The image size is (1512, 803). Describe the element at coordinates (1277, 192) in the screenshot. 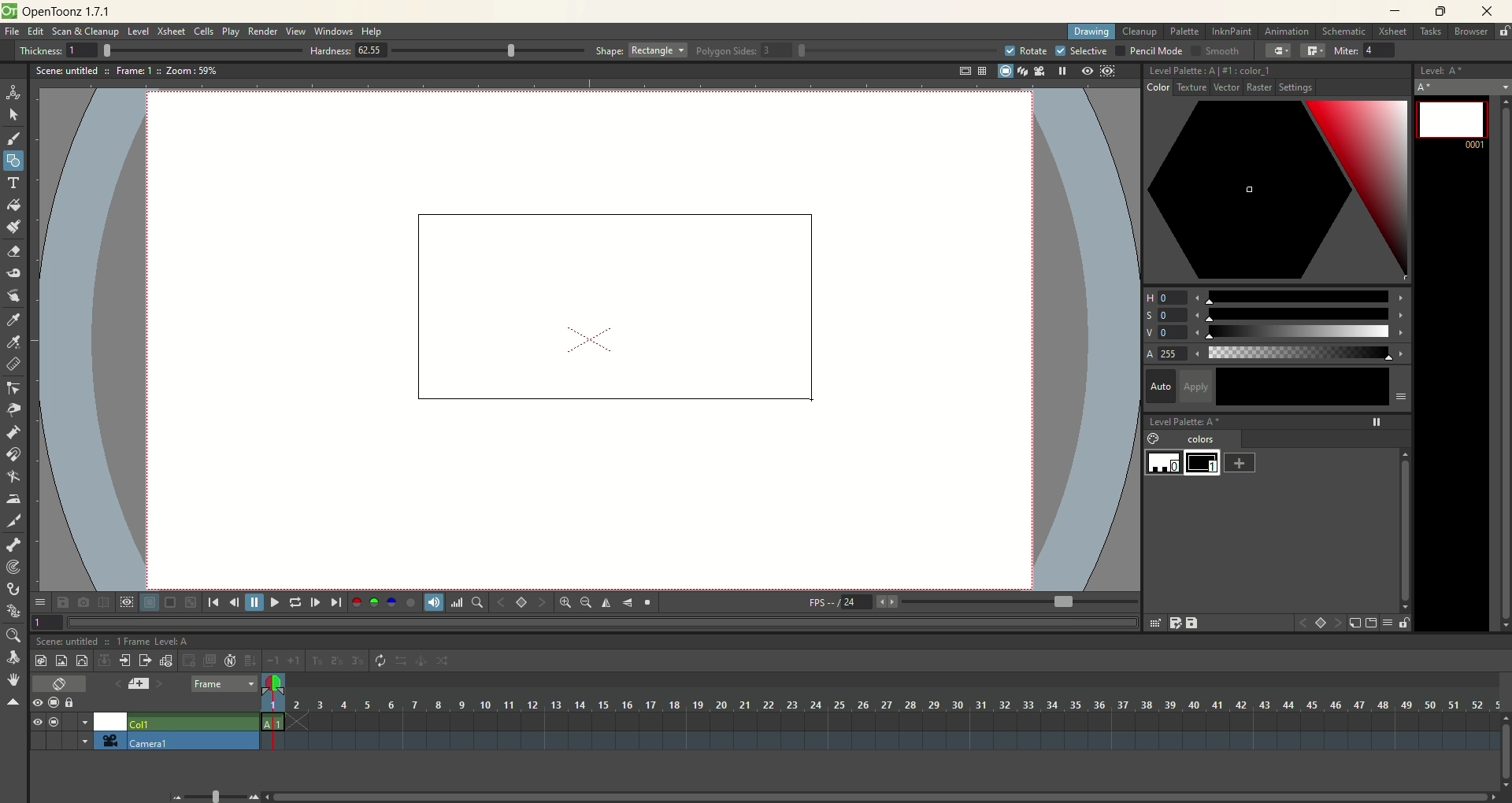

I see `color picker` at that location.